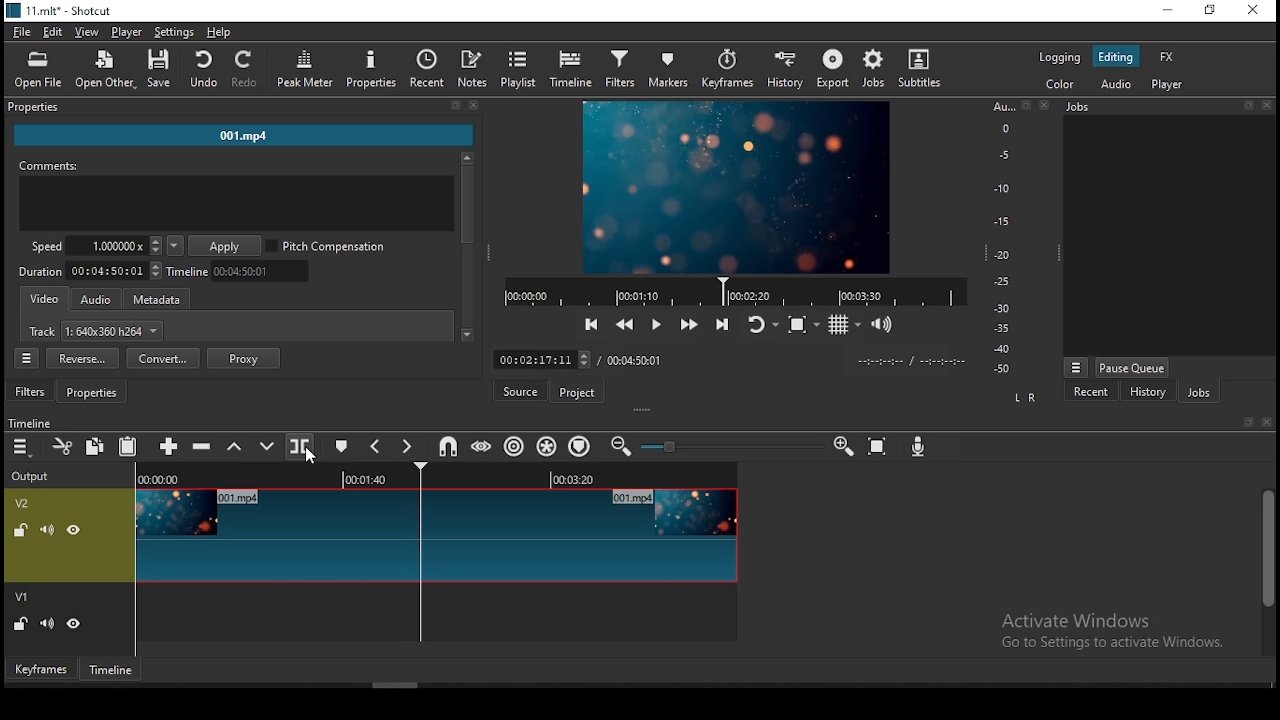 Image resolution: width=1280 pixels, height=720 pixels. Describe the element at coordinates (39, 668) in the screenshot. I see `keyframes` at that location.